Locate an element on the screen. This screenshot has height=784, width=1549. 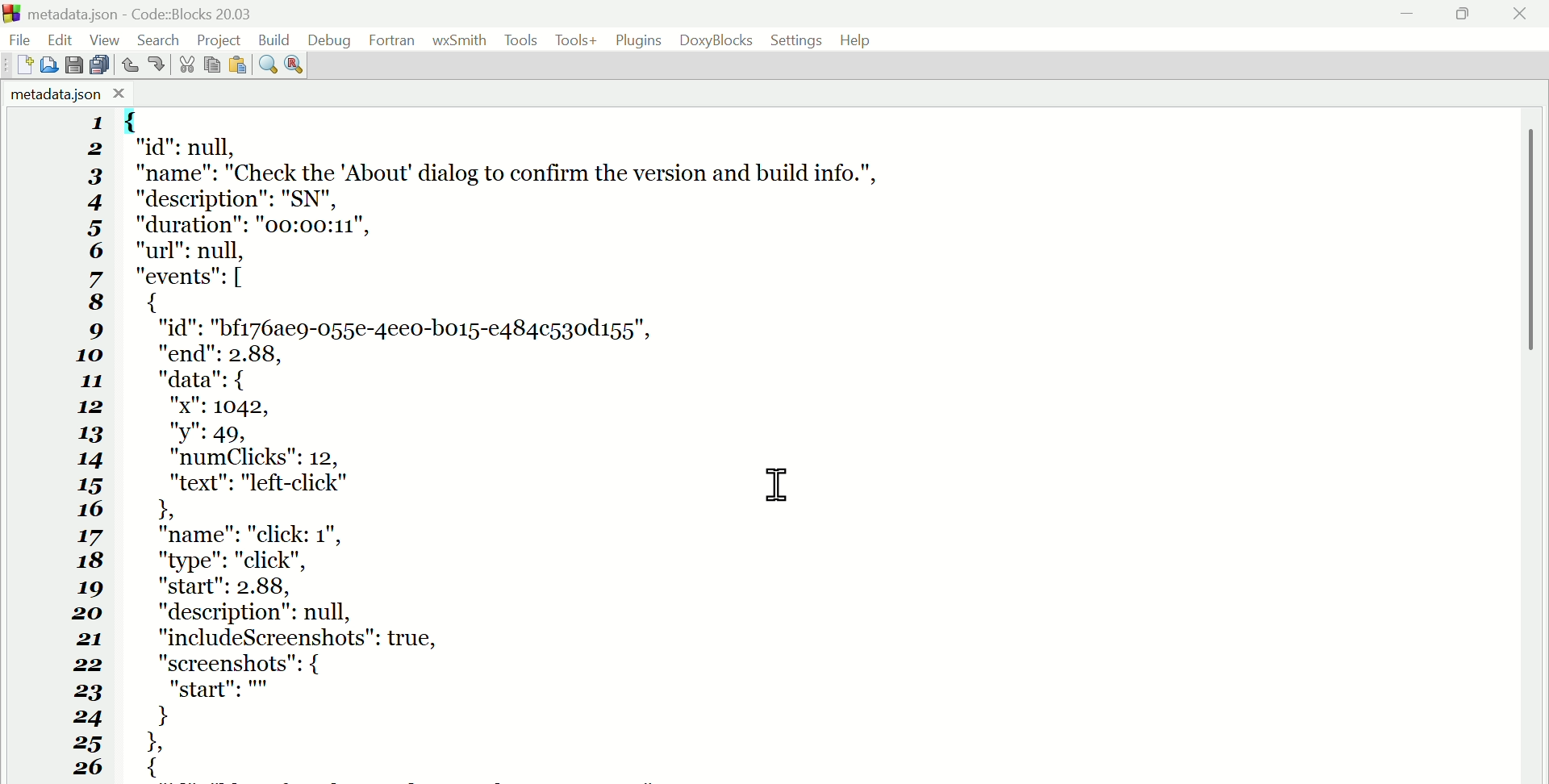
Edit is located at coordinates (61, 39).